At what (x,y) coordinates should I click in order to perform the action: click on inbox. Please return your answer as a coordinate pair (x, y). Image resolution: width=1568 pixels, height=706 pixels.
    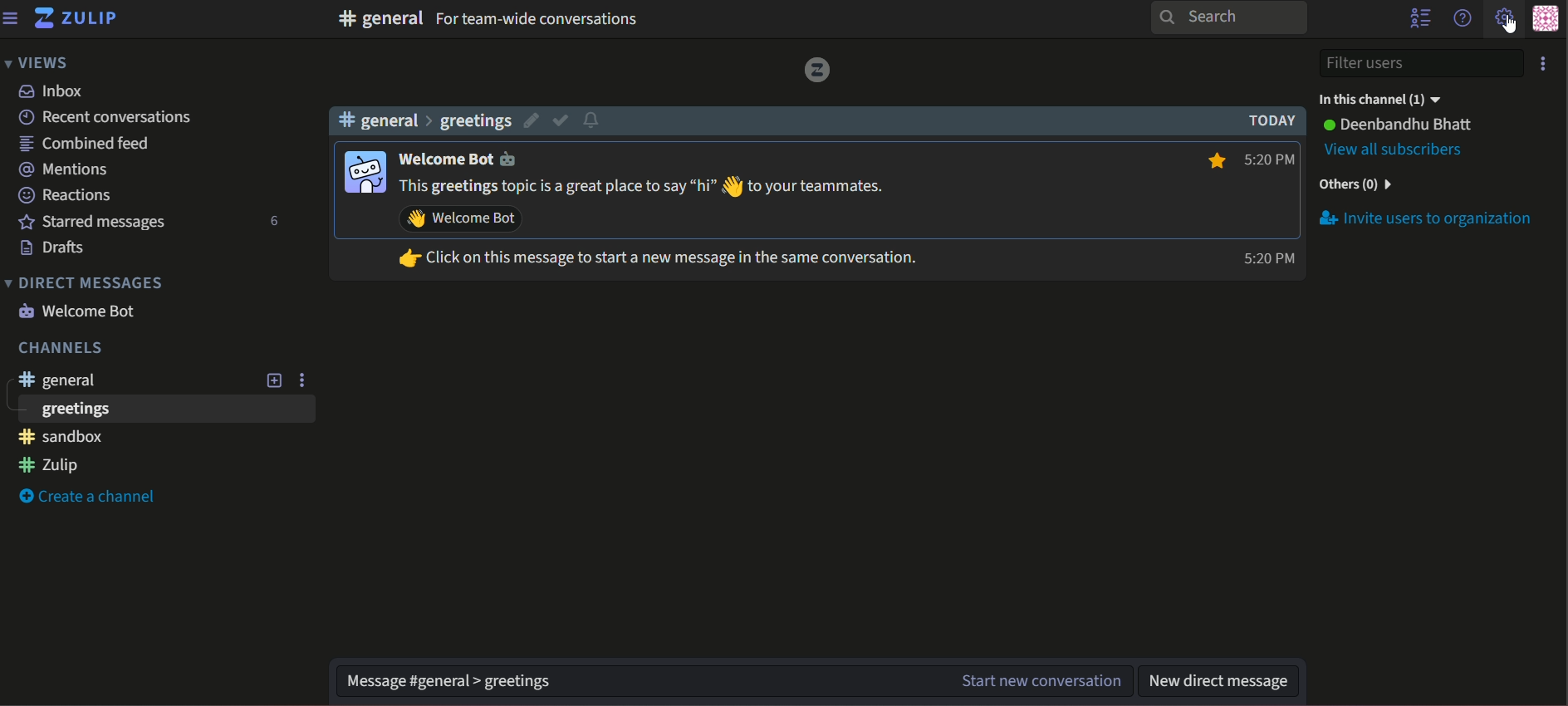
    Looking at the image, I should click on (52, 92).